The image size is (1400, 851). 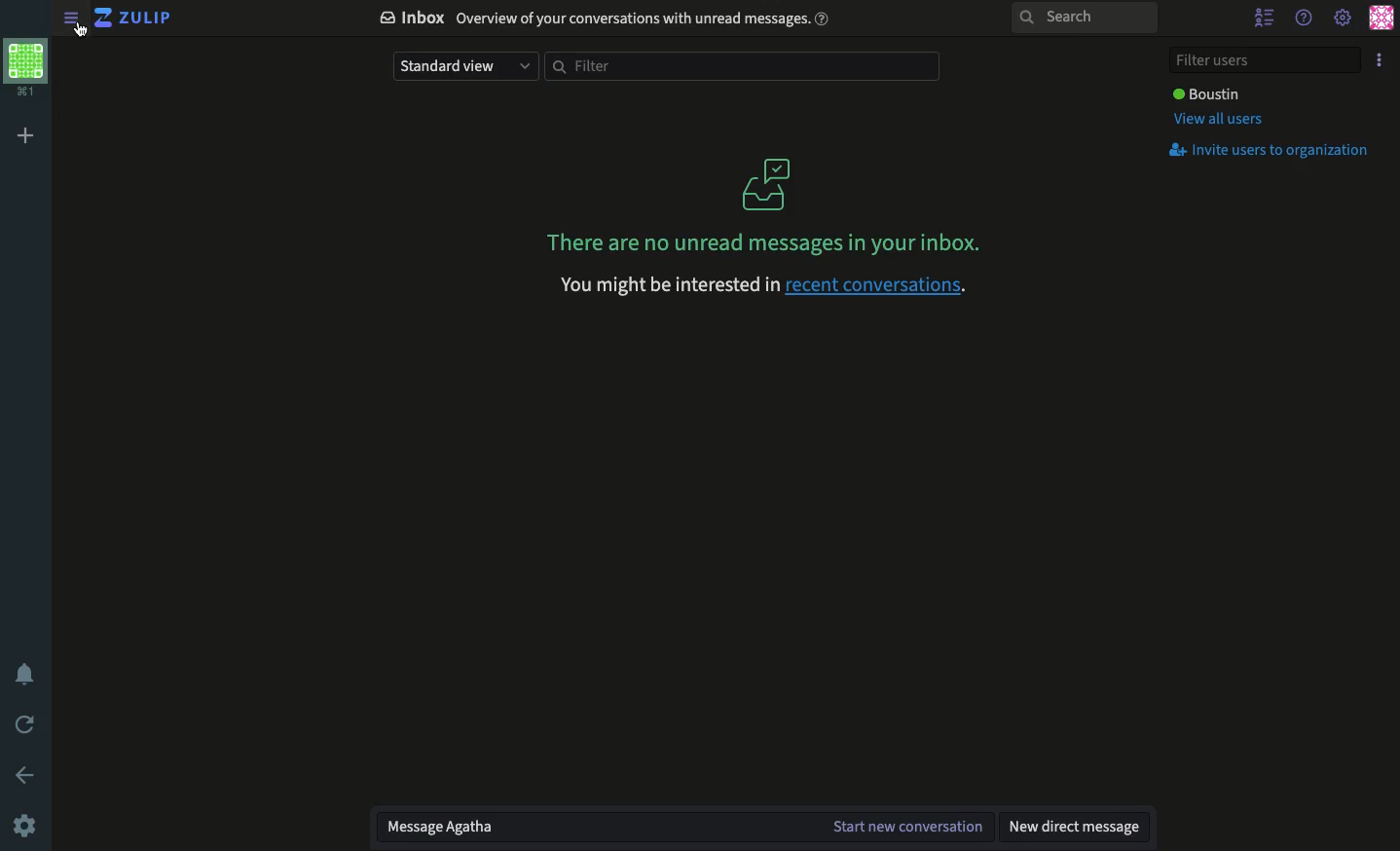 What do you see at coordinates (25, 775) in the screenshot?
I see `Back` at bounding box center [25, 775].